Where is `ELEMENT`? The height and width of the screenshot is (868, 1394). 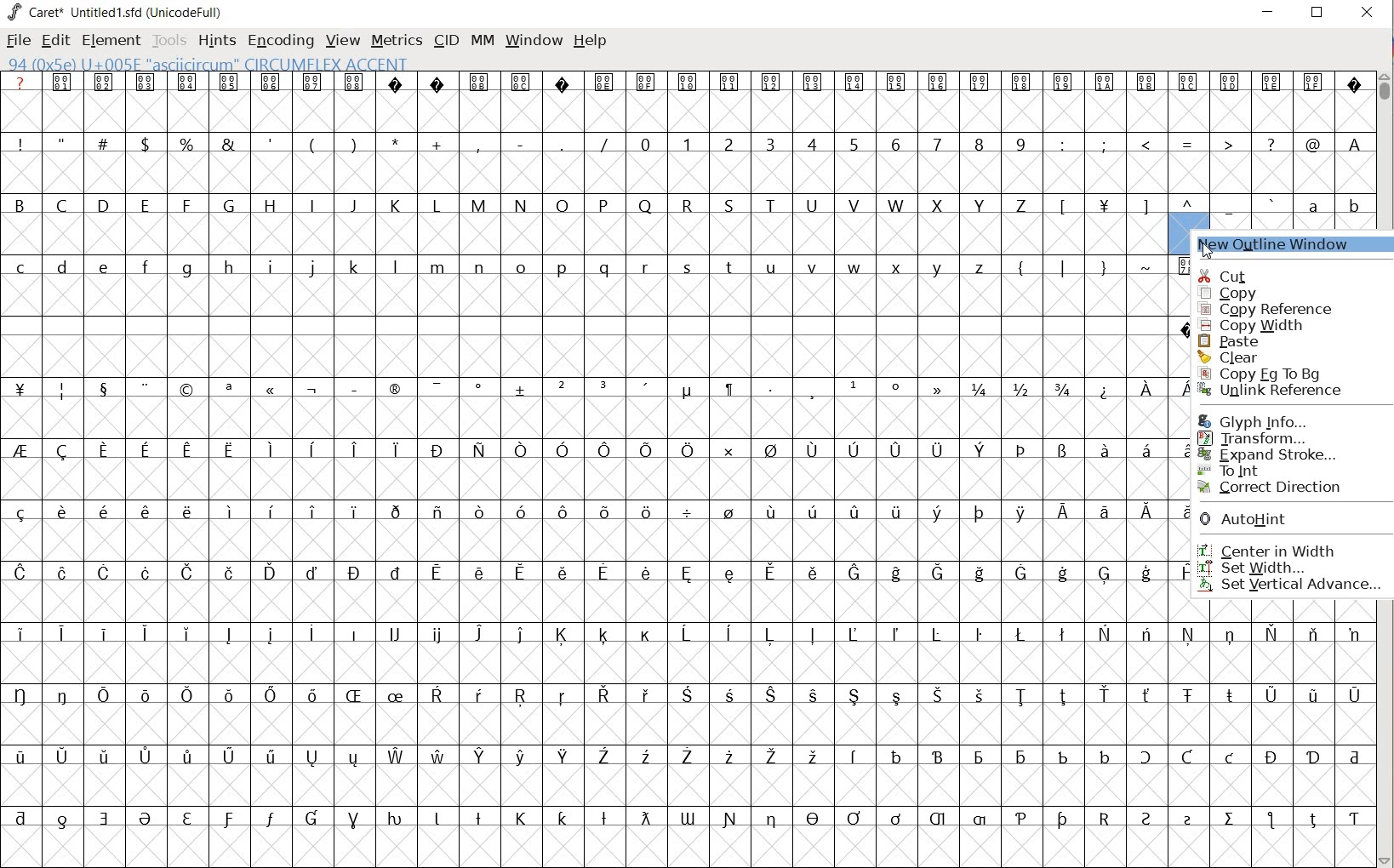
ELEMENT is located at coordinates (109, 40).